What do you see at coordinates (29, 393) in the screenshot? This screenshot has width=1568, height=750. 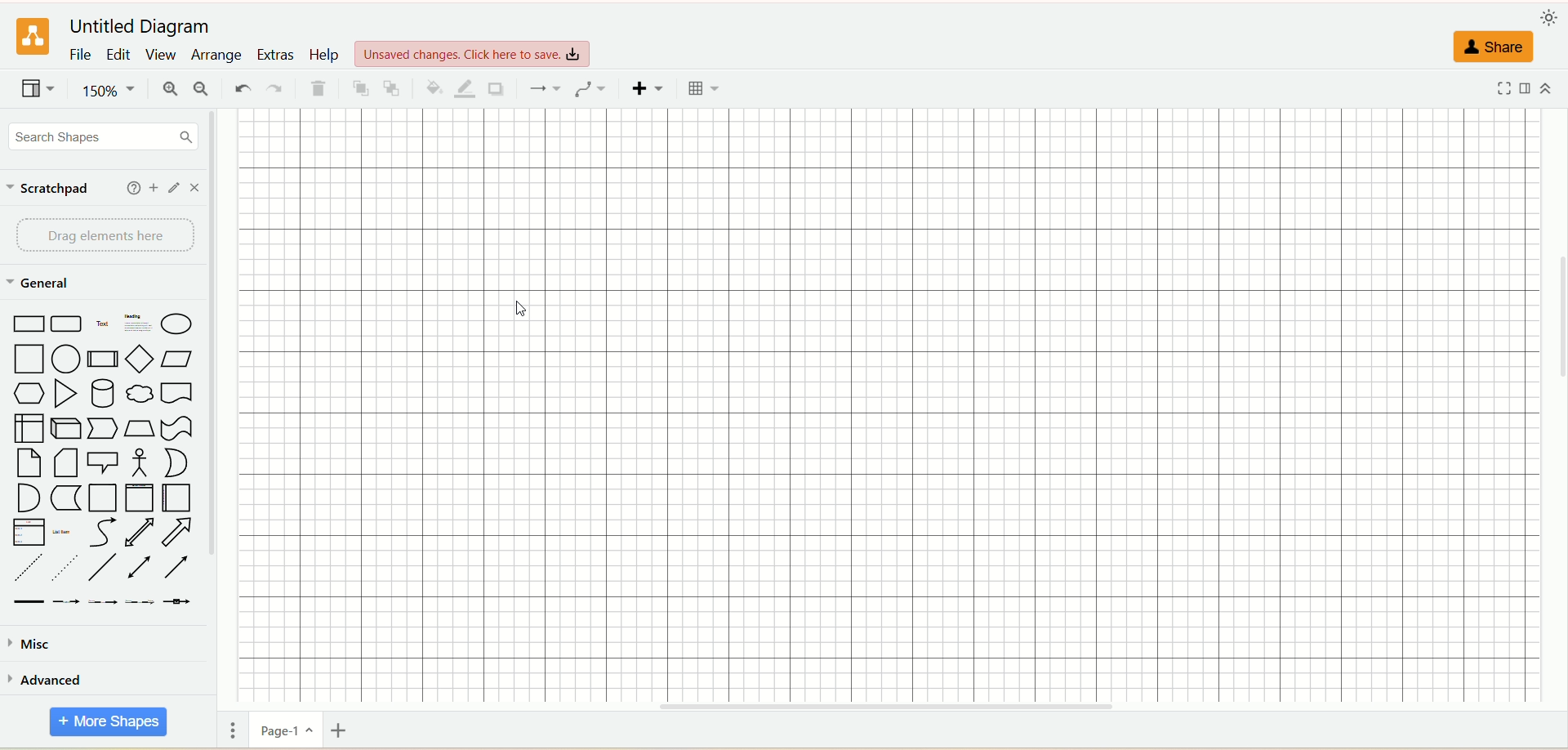 I see `hexagon` at bounding box center [29, 393].